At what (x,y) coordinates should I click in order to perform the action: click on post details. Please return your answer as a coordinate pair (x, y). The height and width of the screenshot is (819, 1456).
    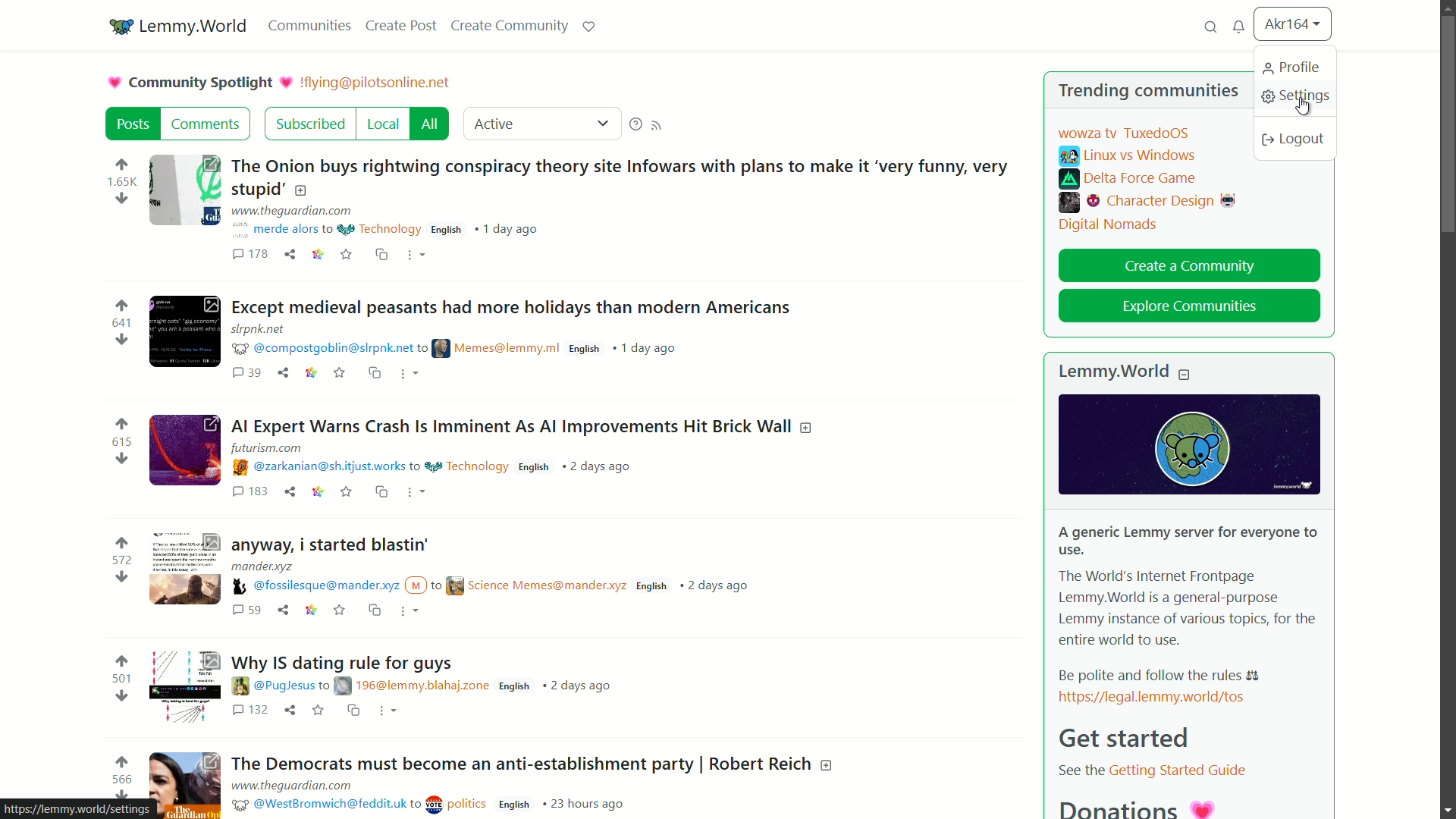
    Looking at the image, I should click on (502, 579).